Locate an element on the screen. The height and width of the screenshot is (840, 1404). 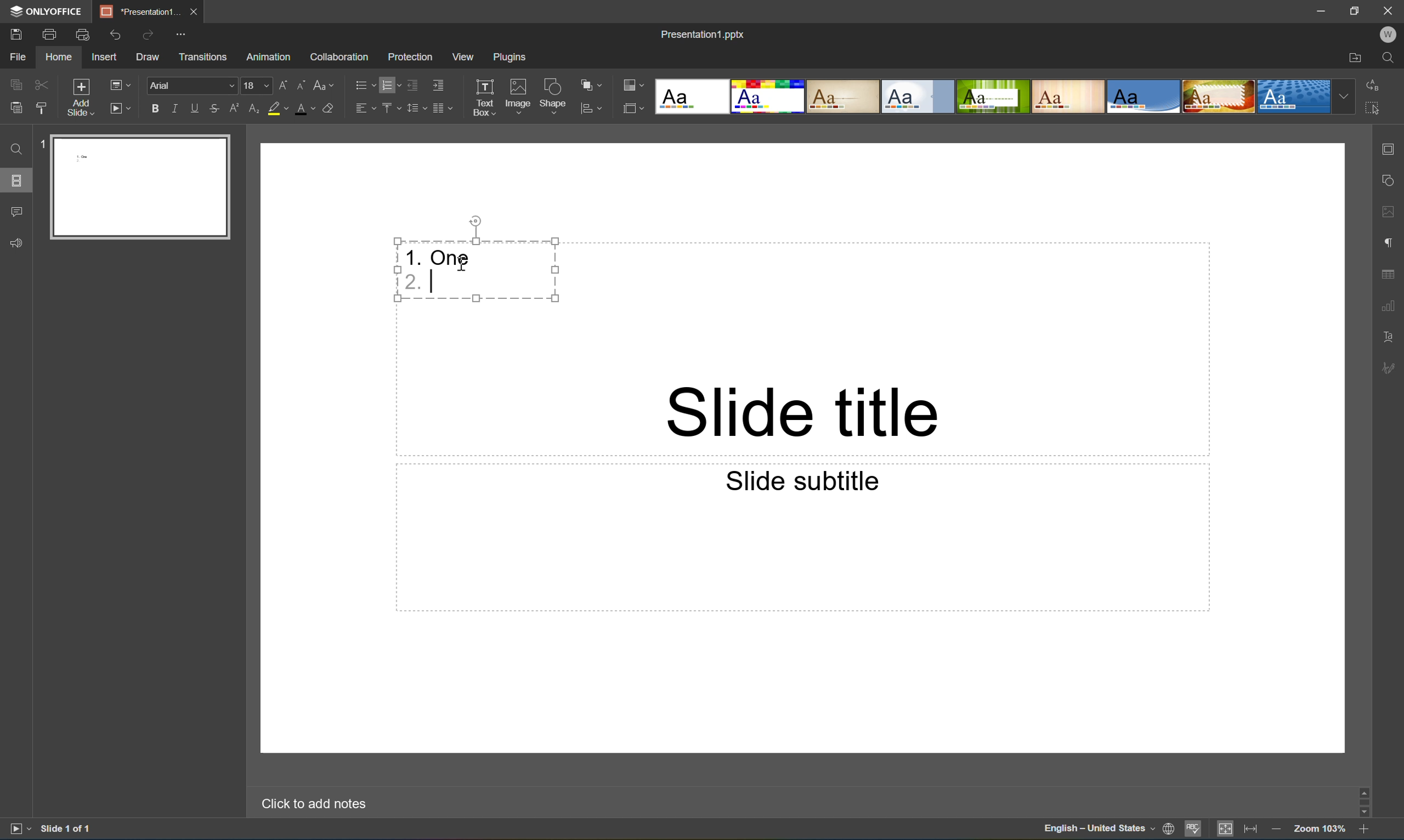
Slides is located at coordinates (14, 181).